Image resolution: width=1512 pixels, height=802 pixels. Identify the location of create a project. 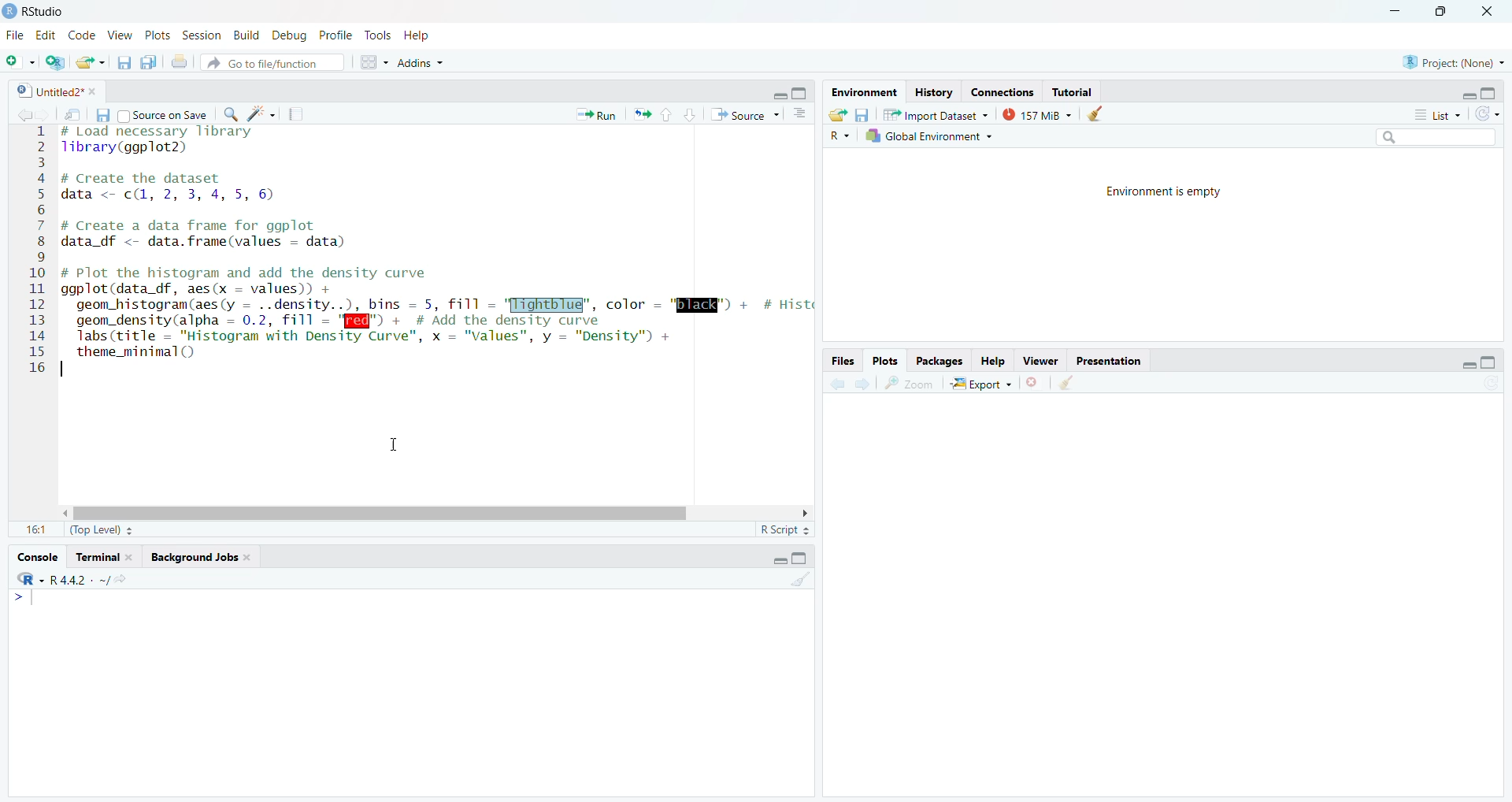
(54, 63).